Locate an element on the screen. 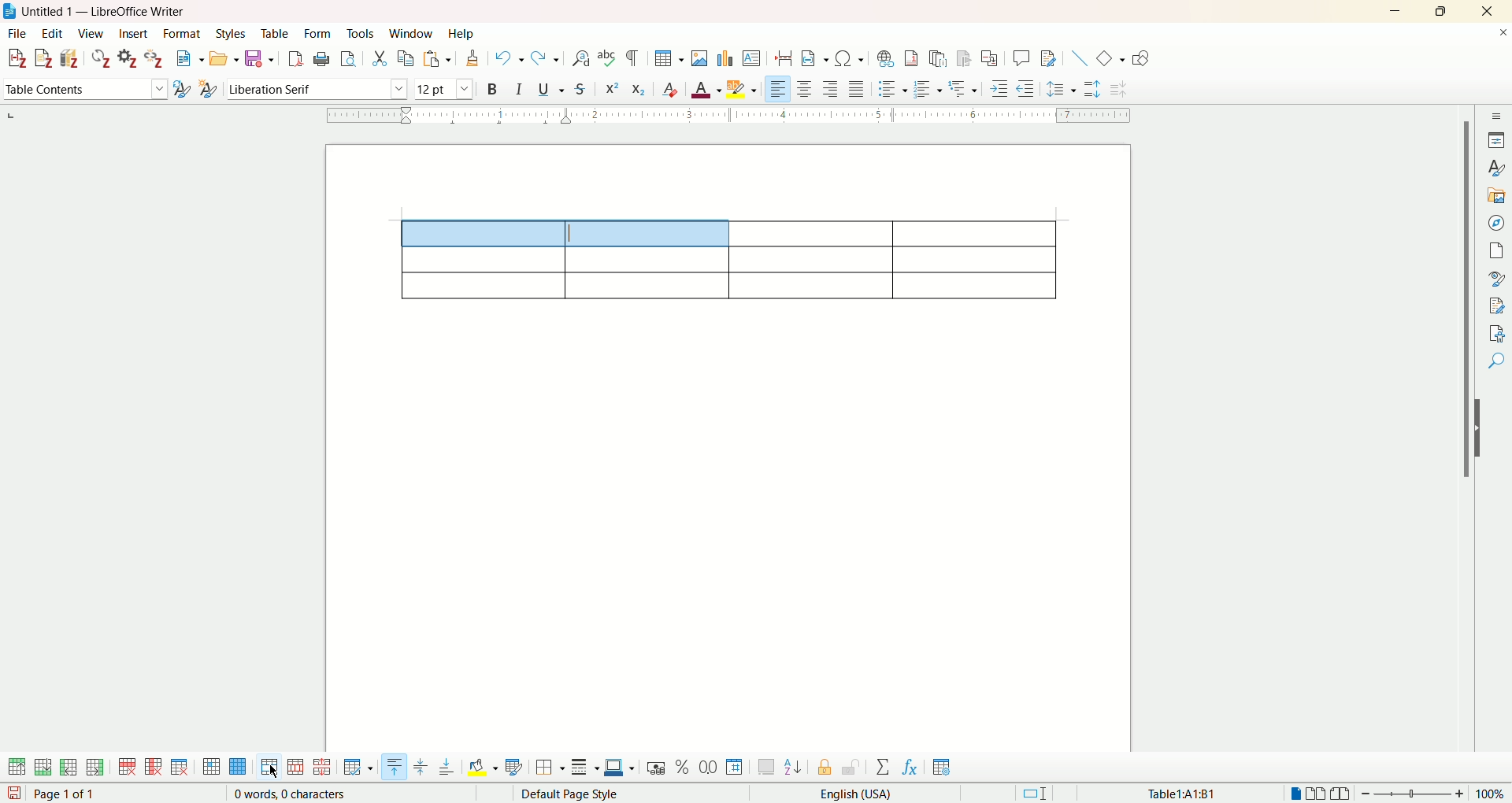 The image size is (1512, 803). insert column before is located at coordinates (72, 764).